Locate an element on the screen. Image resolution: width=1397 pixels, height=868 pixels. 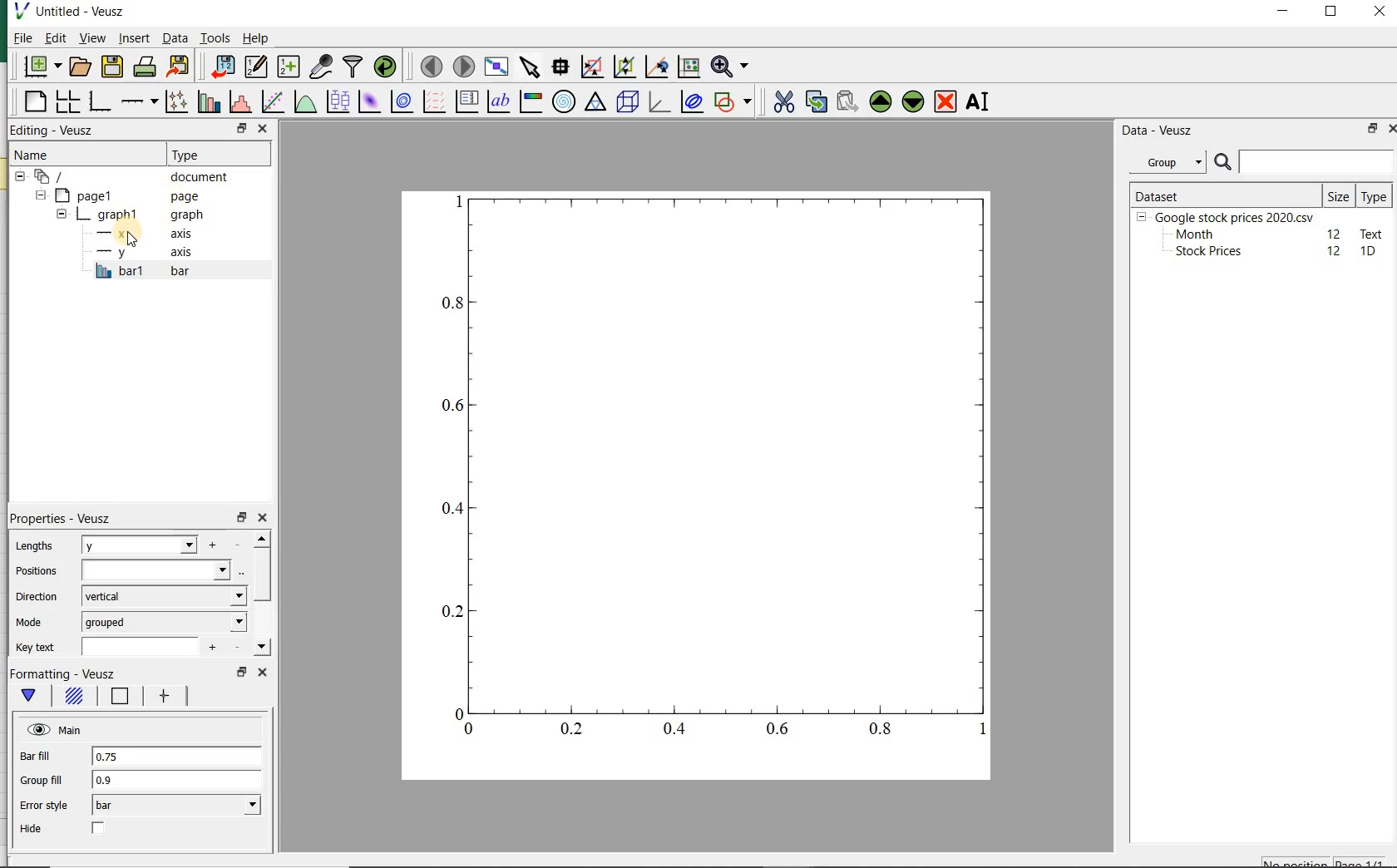
y-axis is located at coordinates (141, 253).